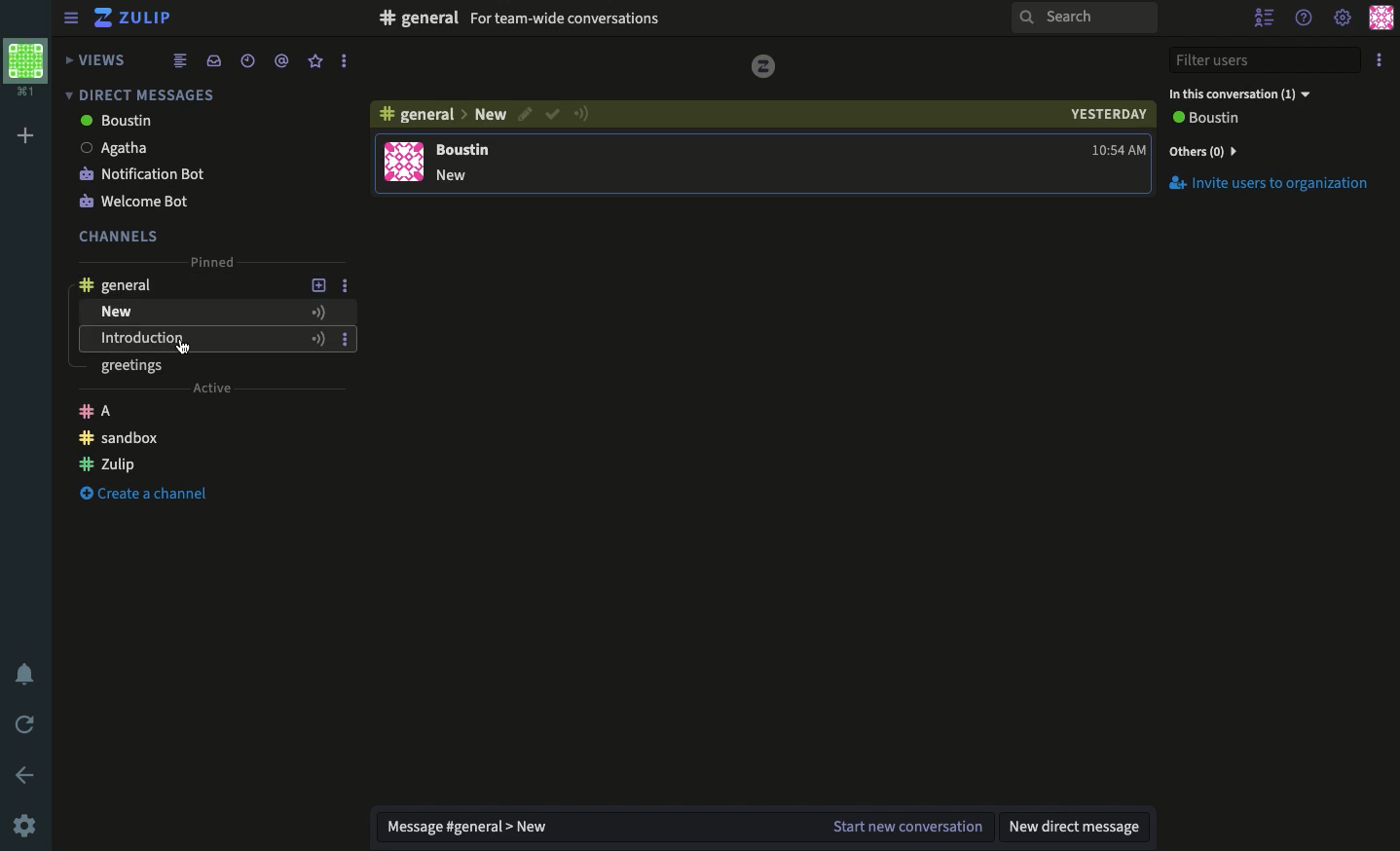 Image resolution: width=1400 pixels, height=851 pixels. I want to click on Zulip, so click(136, 20).